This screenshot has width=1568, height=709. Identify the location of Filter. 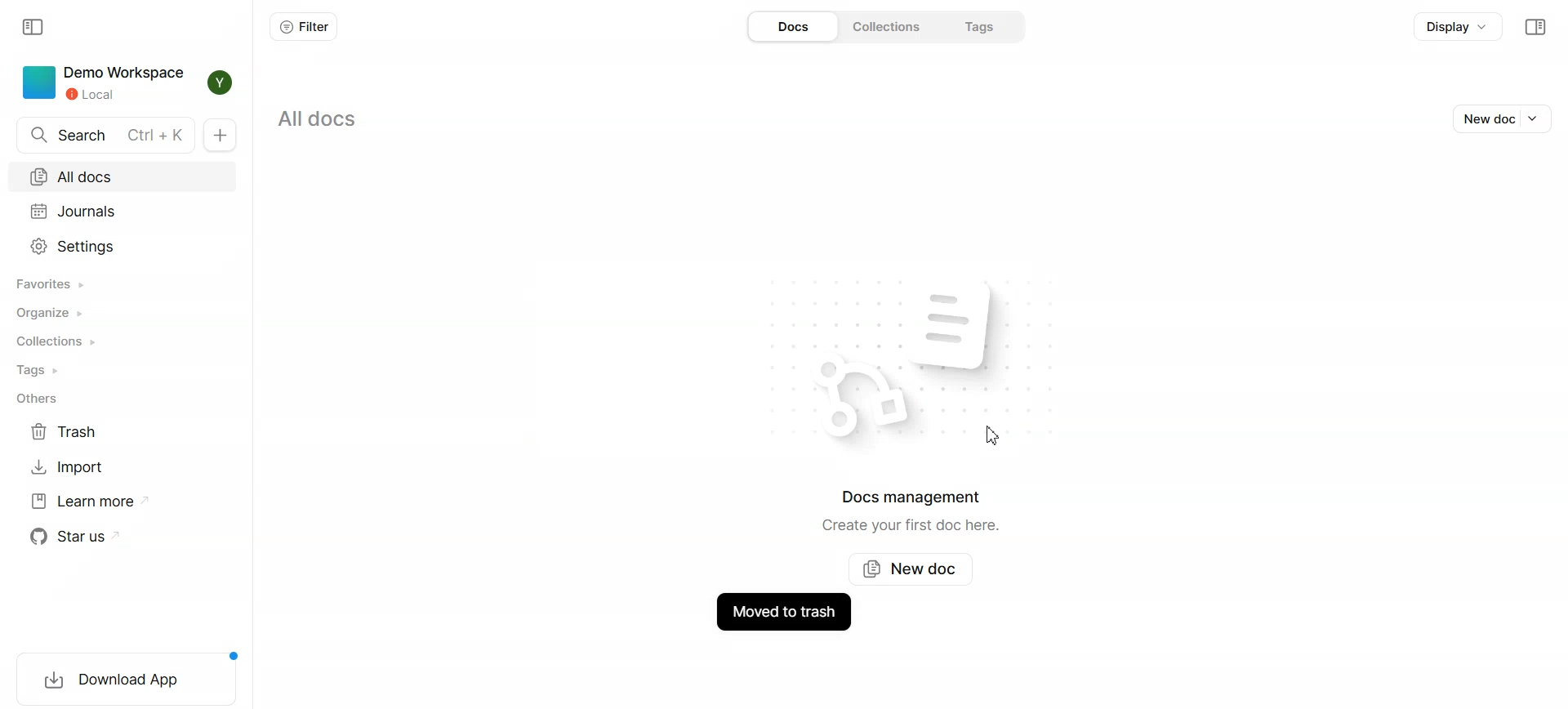
(303, 27).